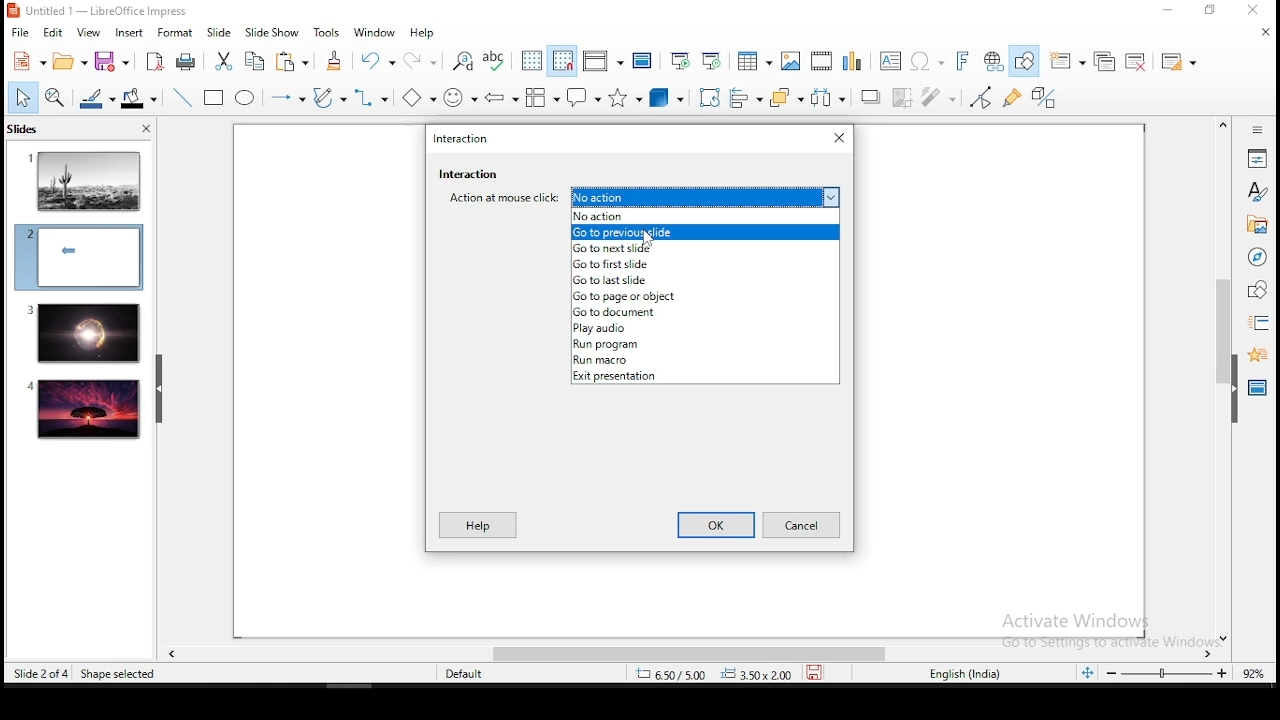 The image size is (1280, 720). I want to click on slide transition, so click(1258, 324).